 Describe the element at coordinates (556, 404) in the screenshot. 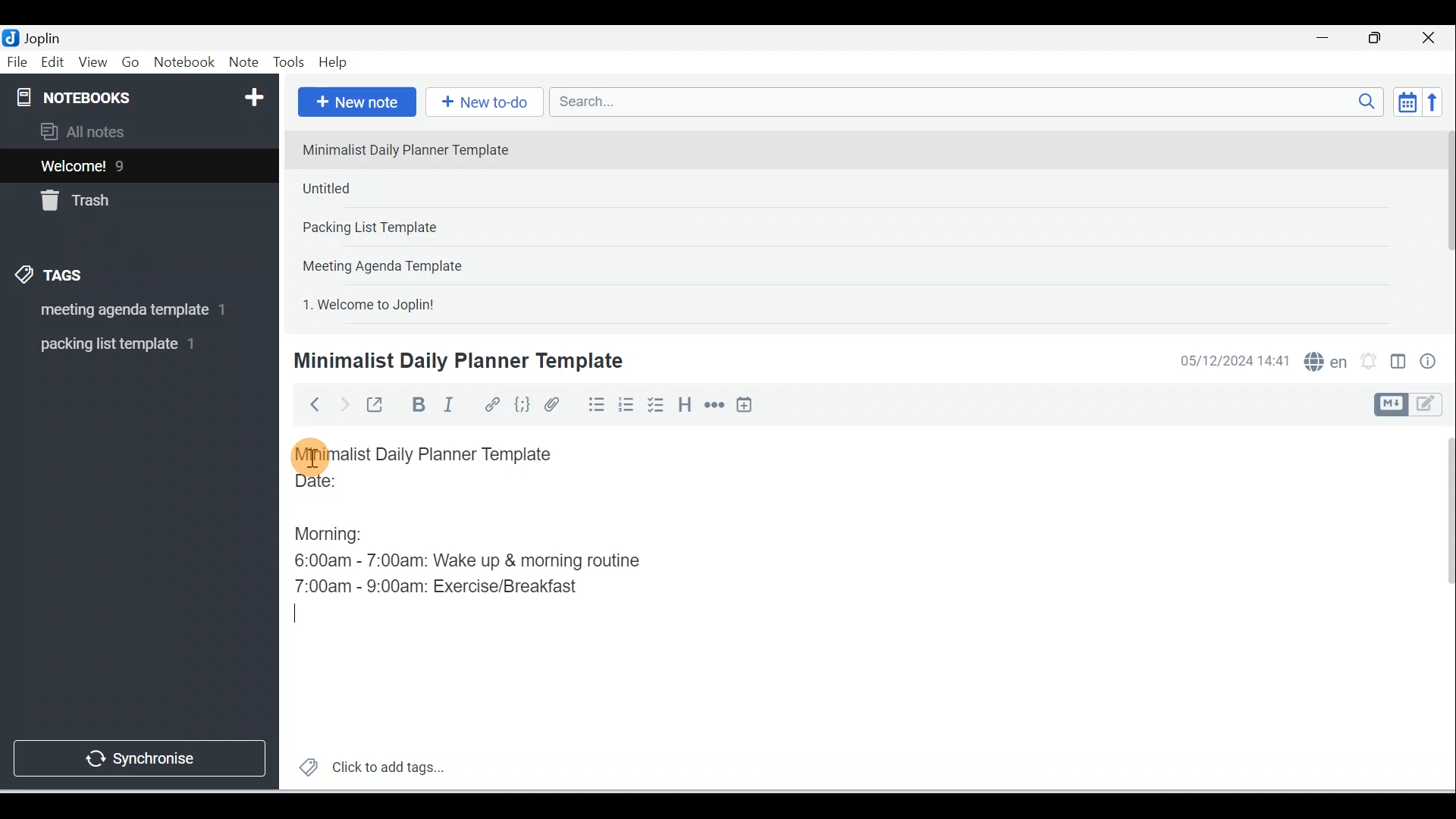

I see `Attach file` at that location.